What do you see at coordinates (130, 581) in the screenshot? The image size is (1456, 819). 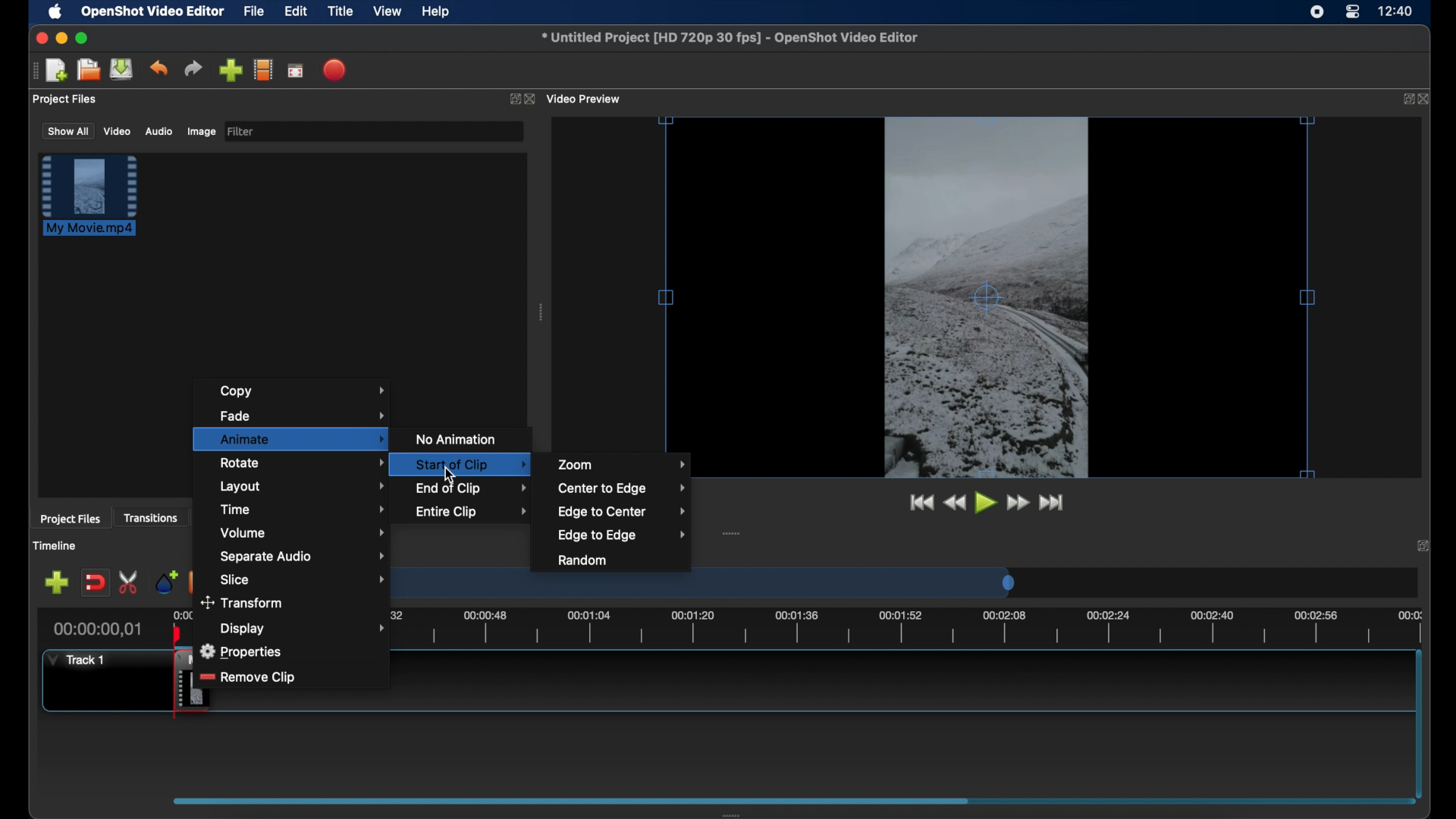 I see `enable razor` at bounding box center [130, 581].